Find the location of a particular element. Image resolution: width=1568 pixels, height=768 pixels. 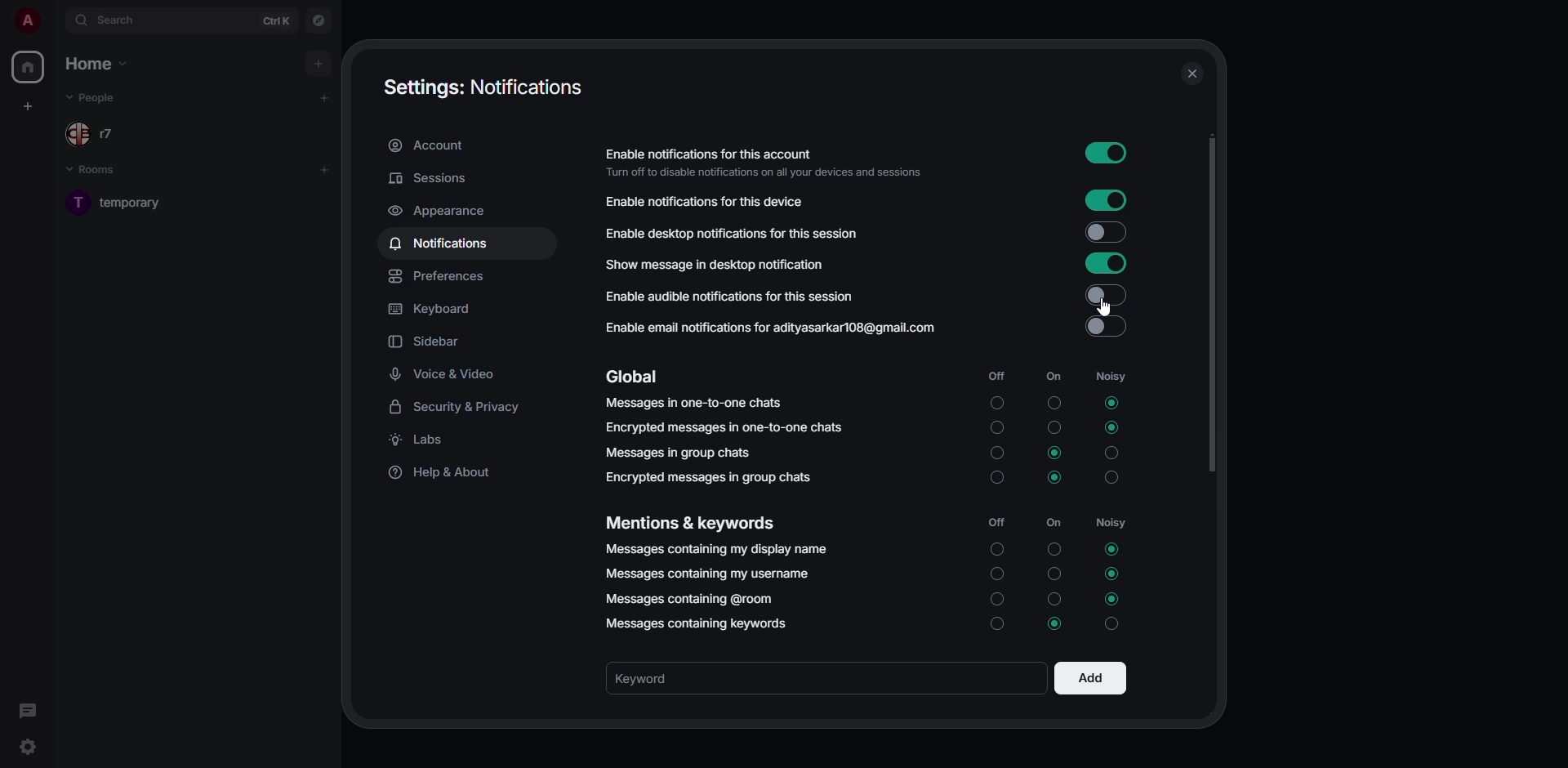

sessions is located at coordinates (431, 178).